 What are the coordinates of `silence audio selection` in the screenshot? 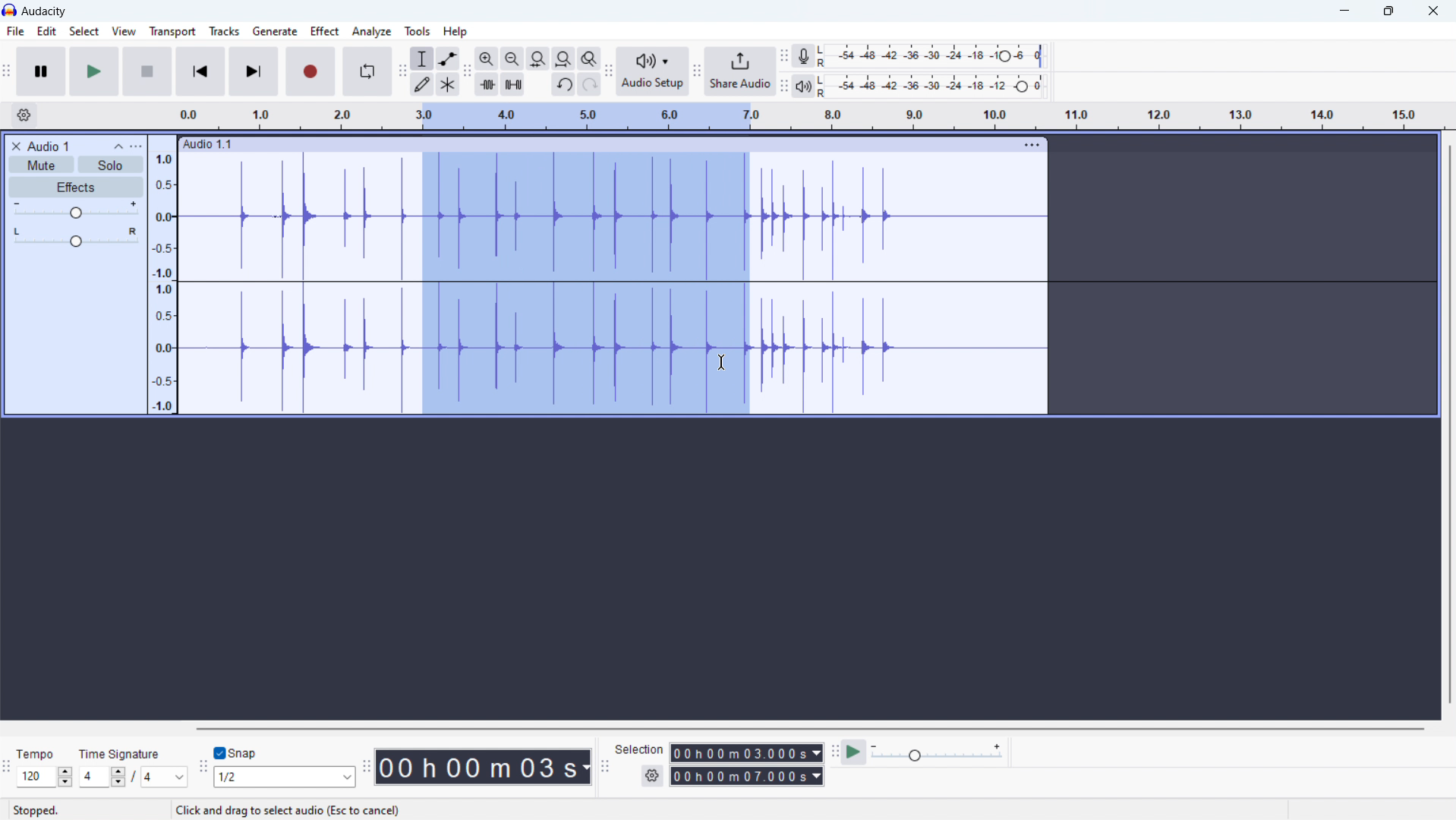 It's located at (512, 84).